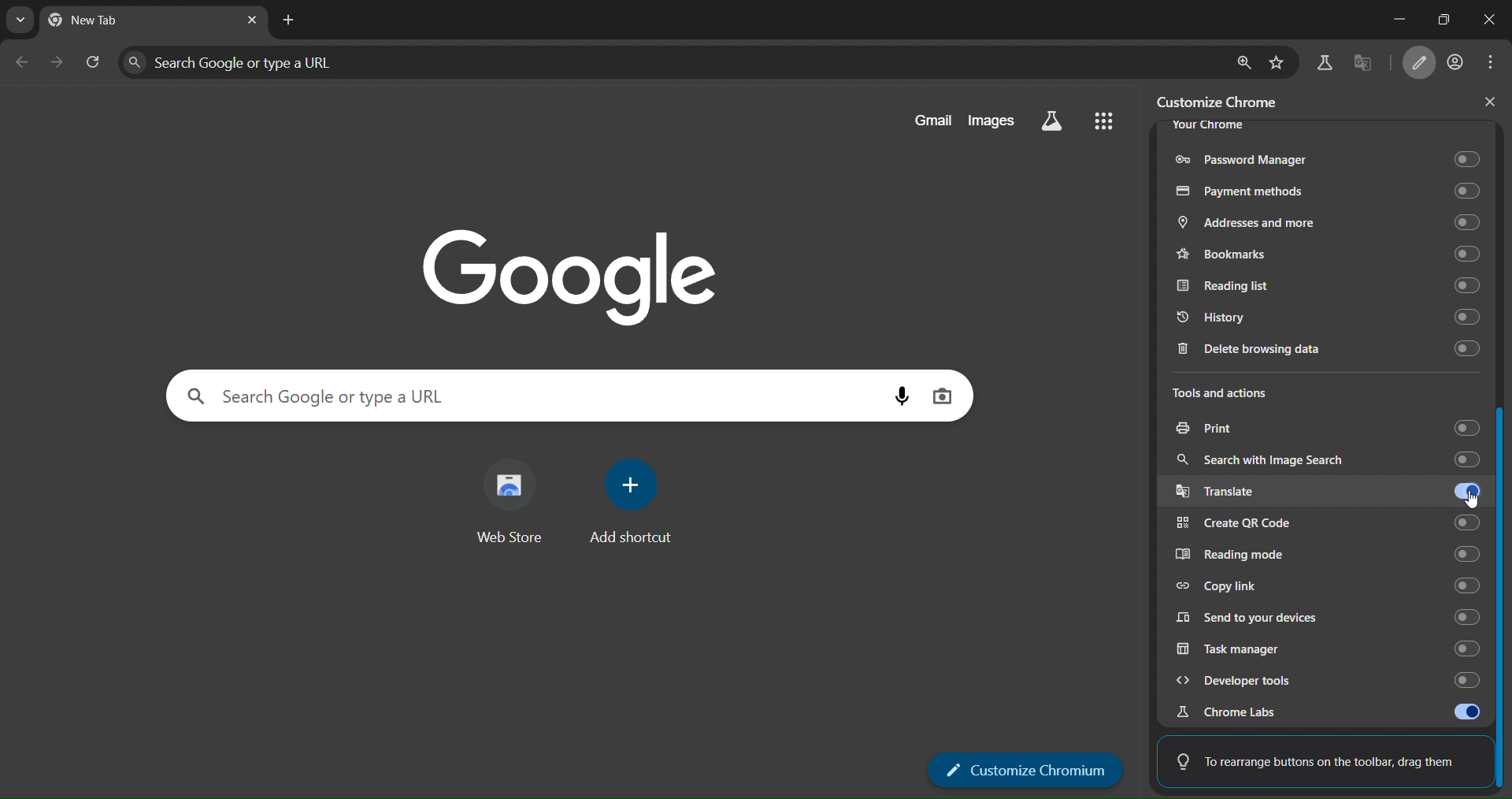  Describe the element at coordinates (1323, 62) in the screenshot. I see `search labs` at that location.